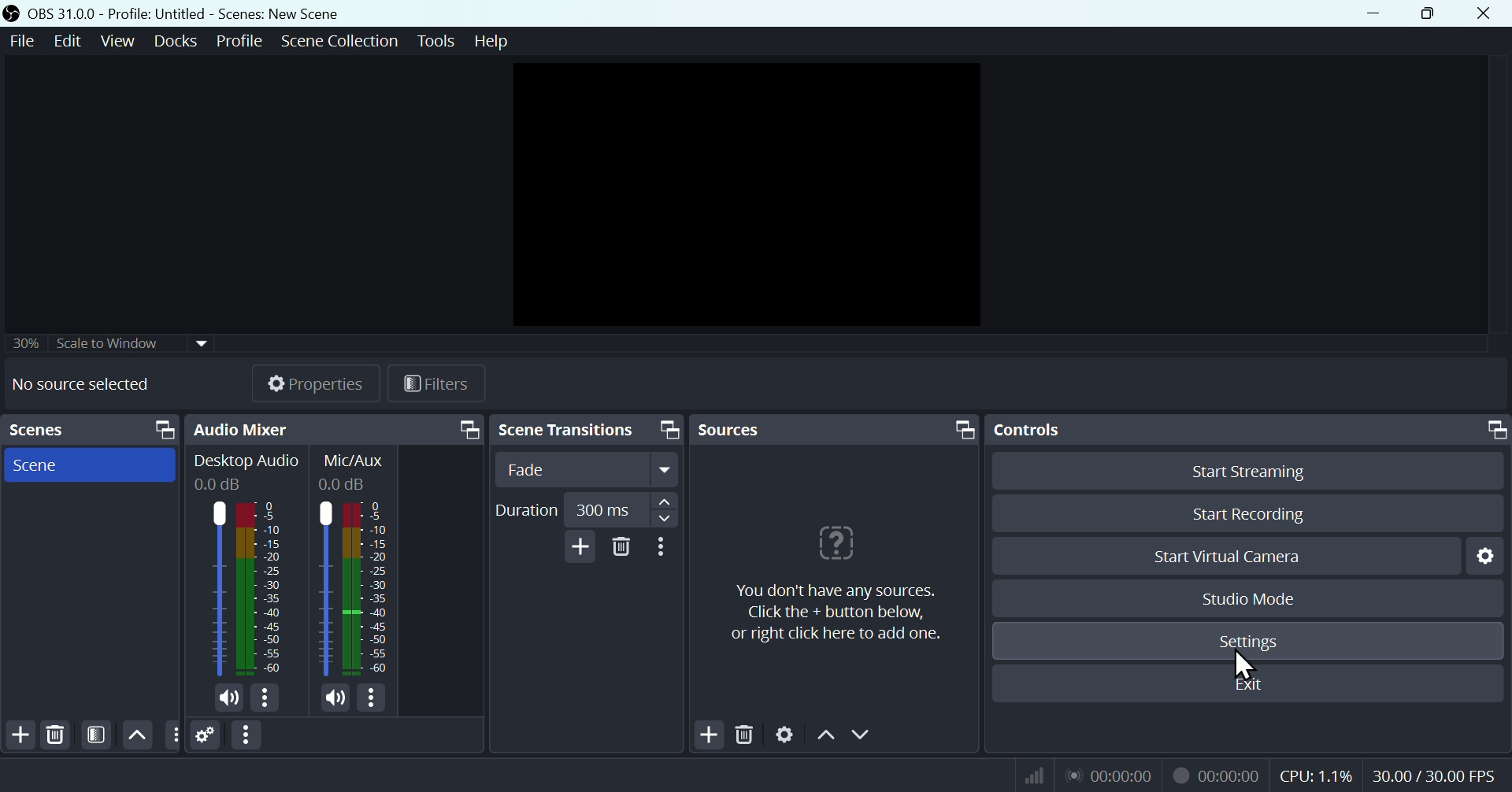 This screenshot has height=792, width=1512. I want to click on add, so click(577, 549).